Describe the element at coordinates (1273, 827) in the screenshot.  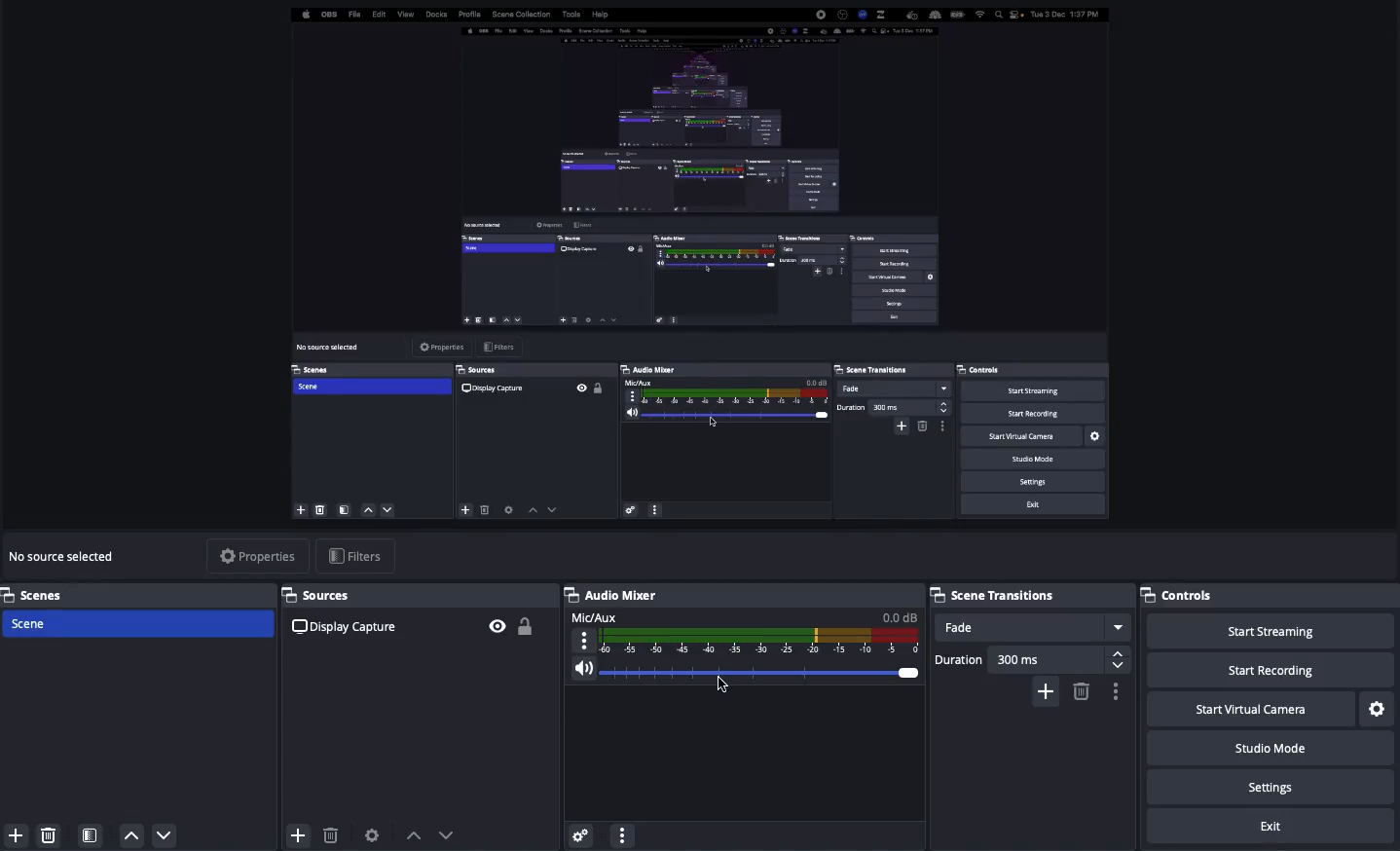
I see `Exit` at that location.